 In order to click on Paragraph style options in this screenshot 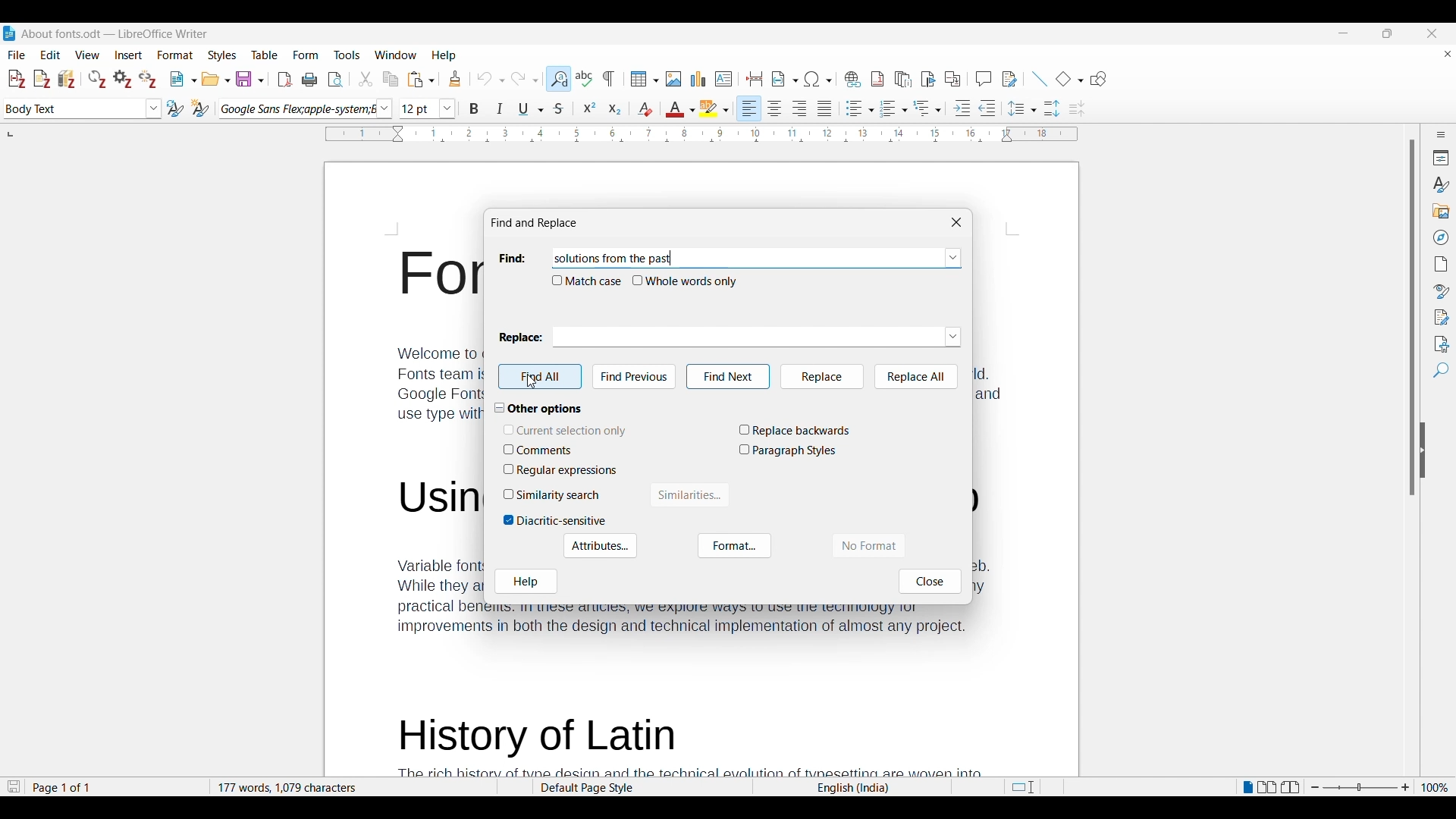, I will do `click(153, 108)`.